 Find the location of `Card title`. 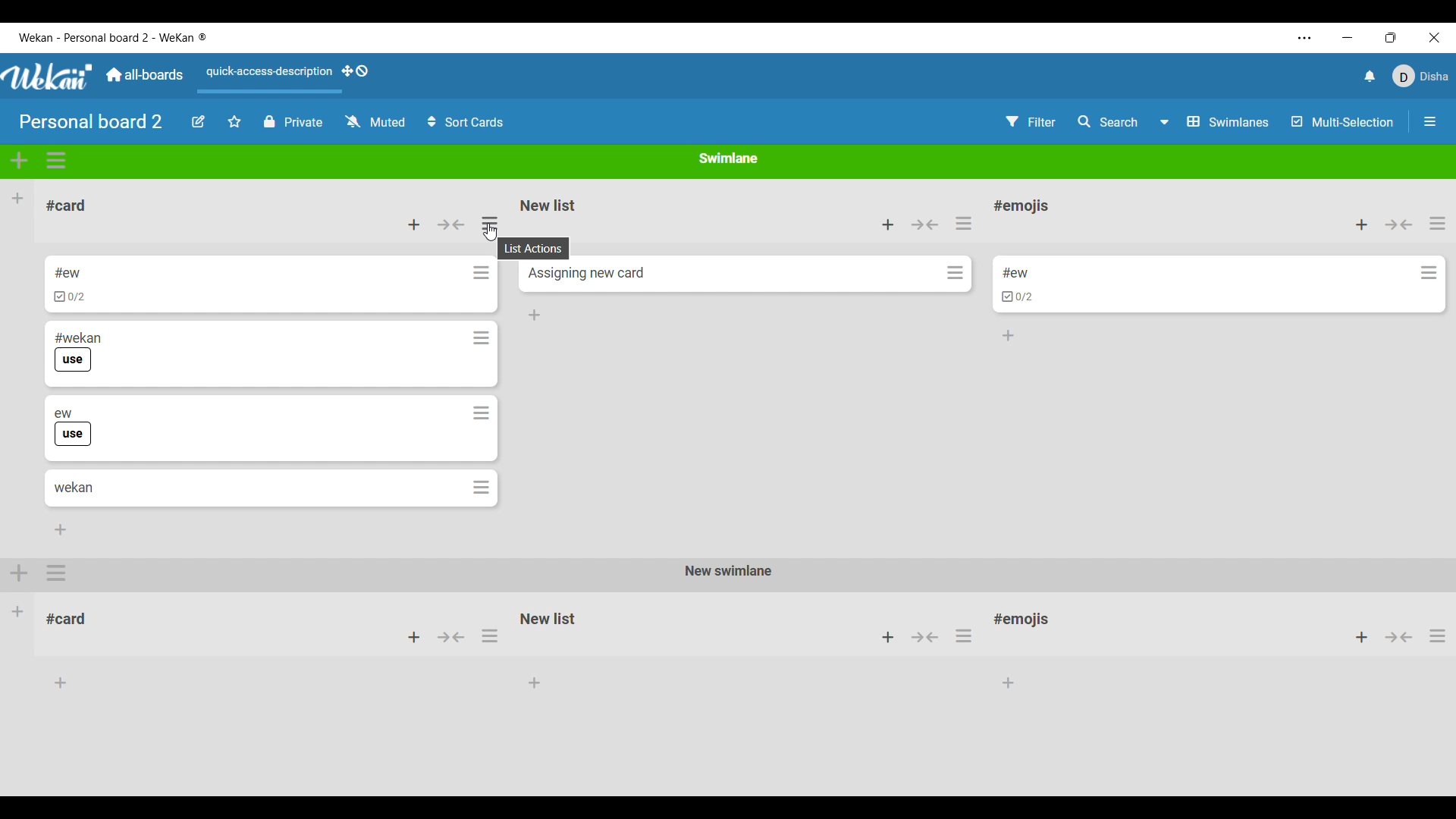

Card title is located at coordinates (1015, 273).